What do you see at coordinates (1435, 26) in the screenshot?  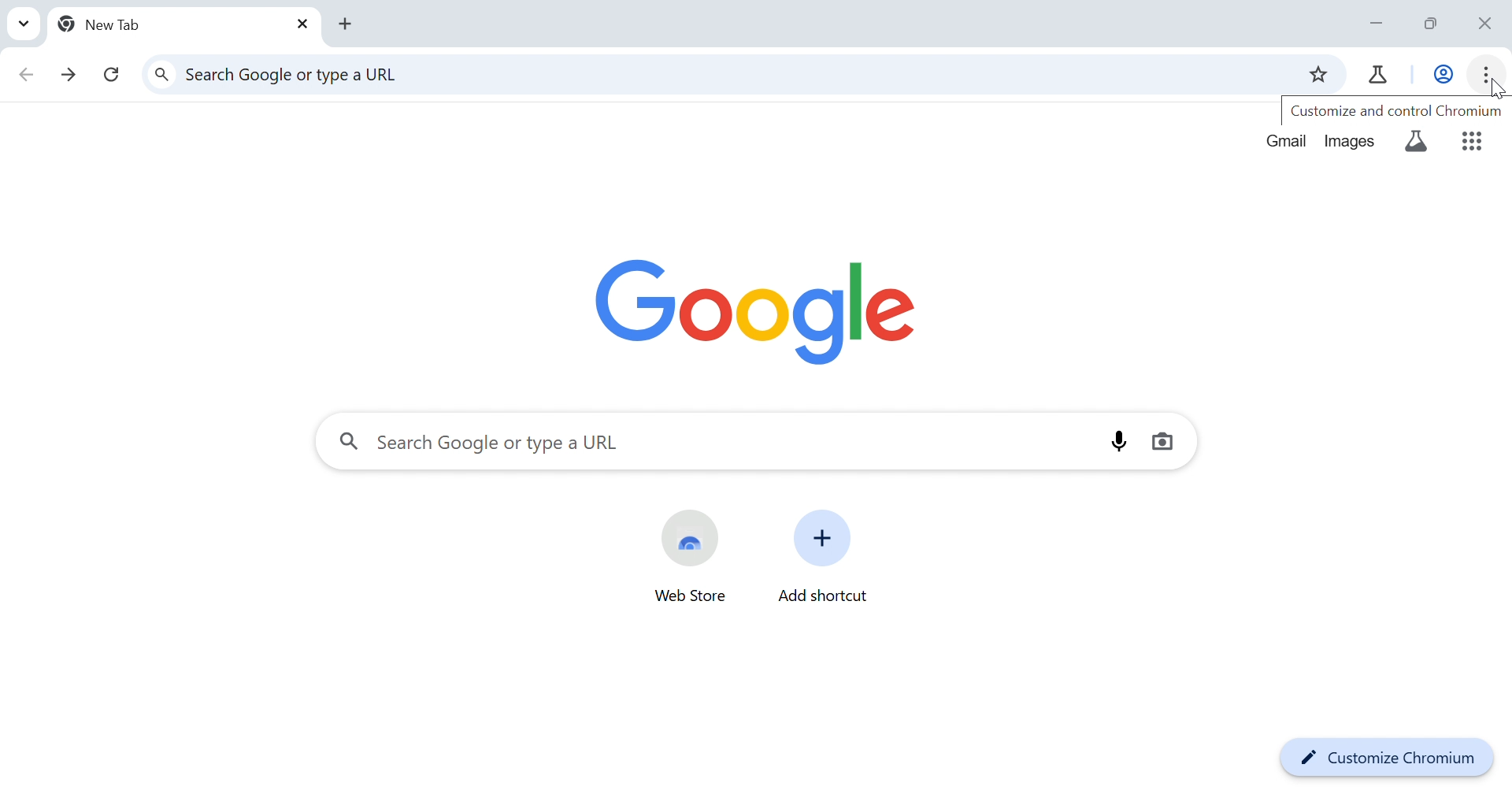 I see `Restore down` at bounding box center [1435, 26].